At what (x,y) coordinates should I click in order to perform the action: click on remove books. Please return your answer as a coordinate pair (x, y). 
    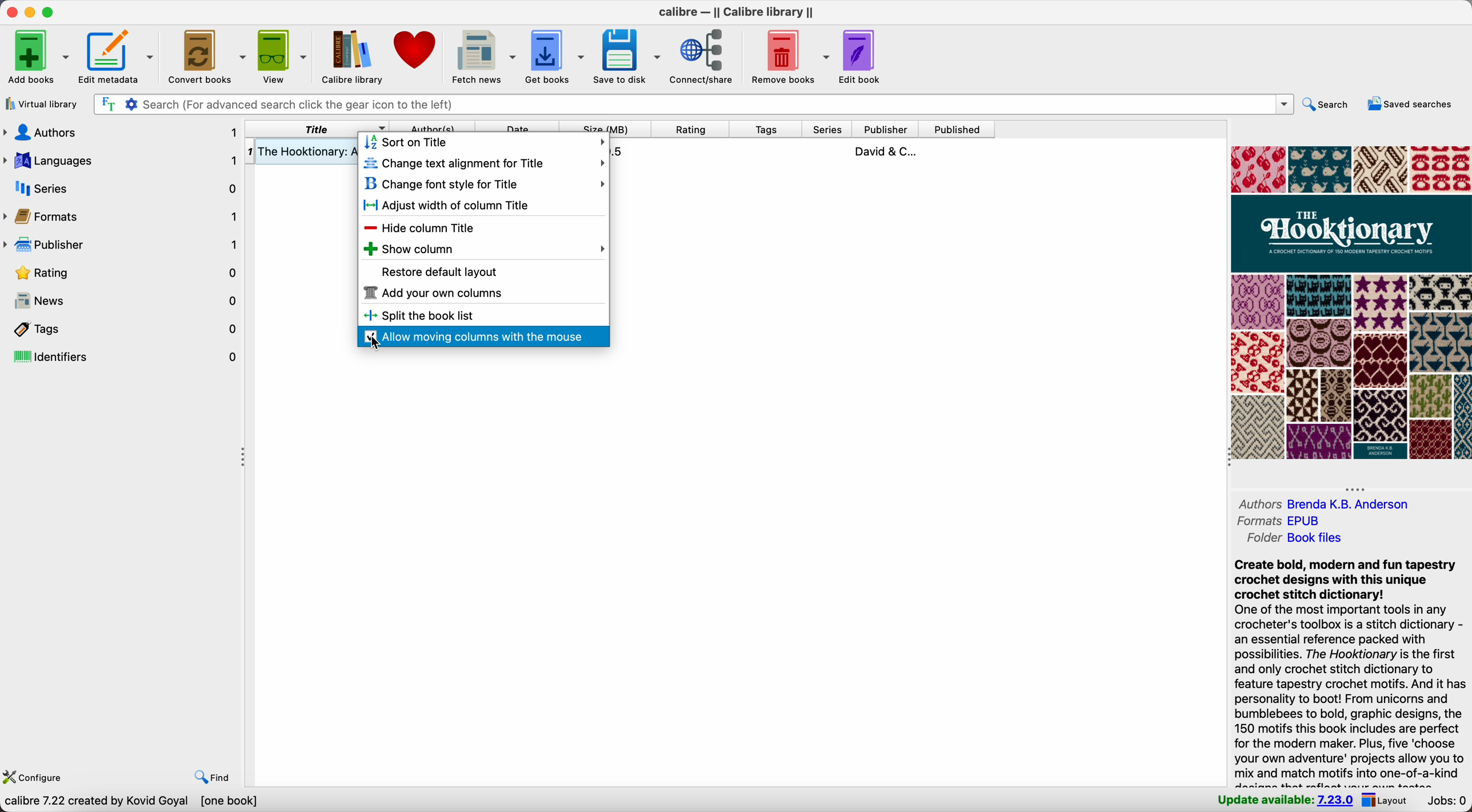
    Looking at the image, I should click on (789, 55).